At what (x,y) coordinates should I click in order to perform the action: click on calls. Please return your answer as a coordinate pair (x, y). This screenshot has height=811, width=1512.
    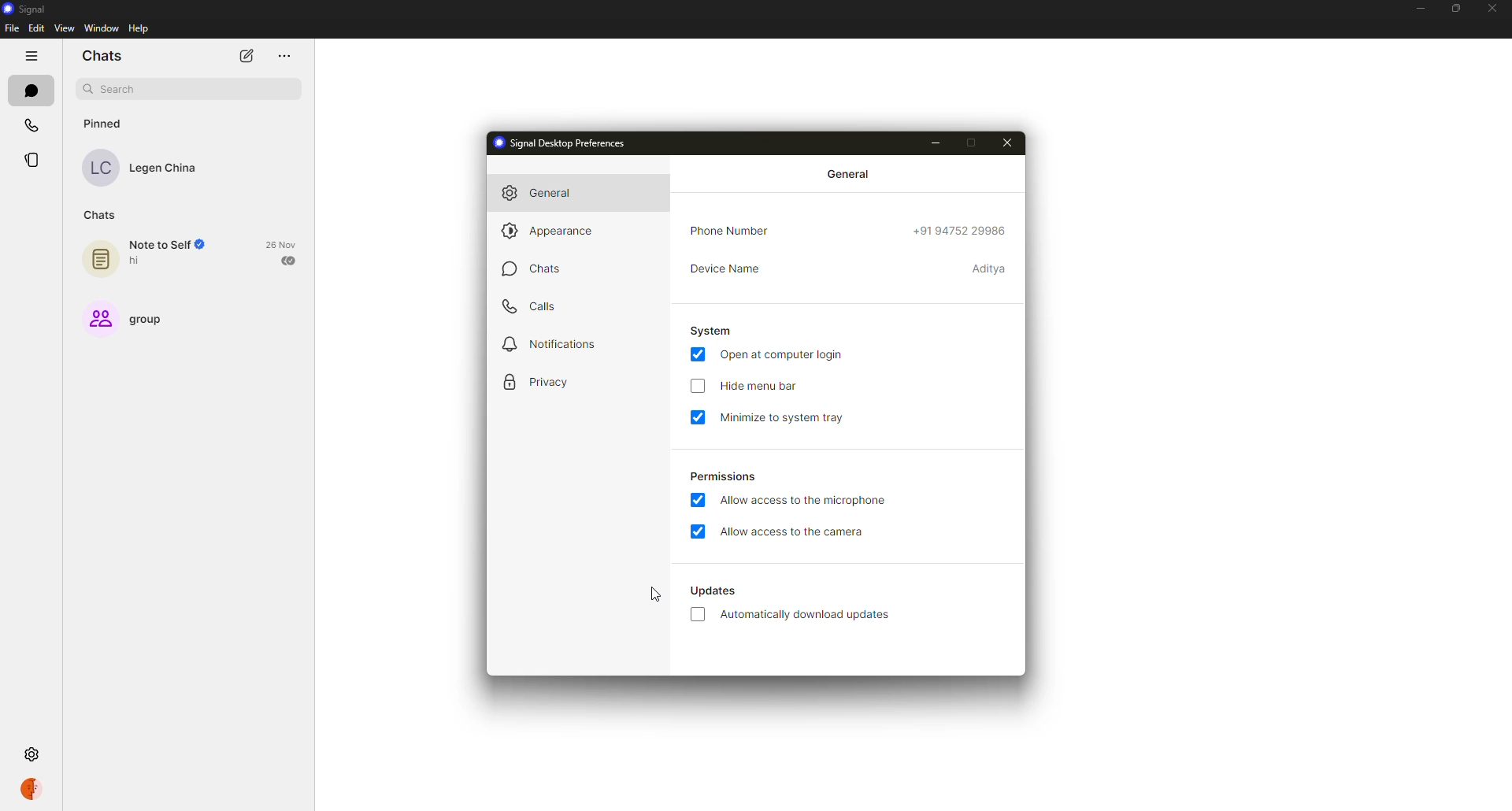
    Looking at the image, I should click on (31, 126).